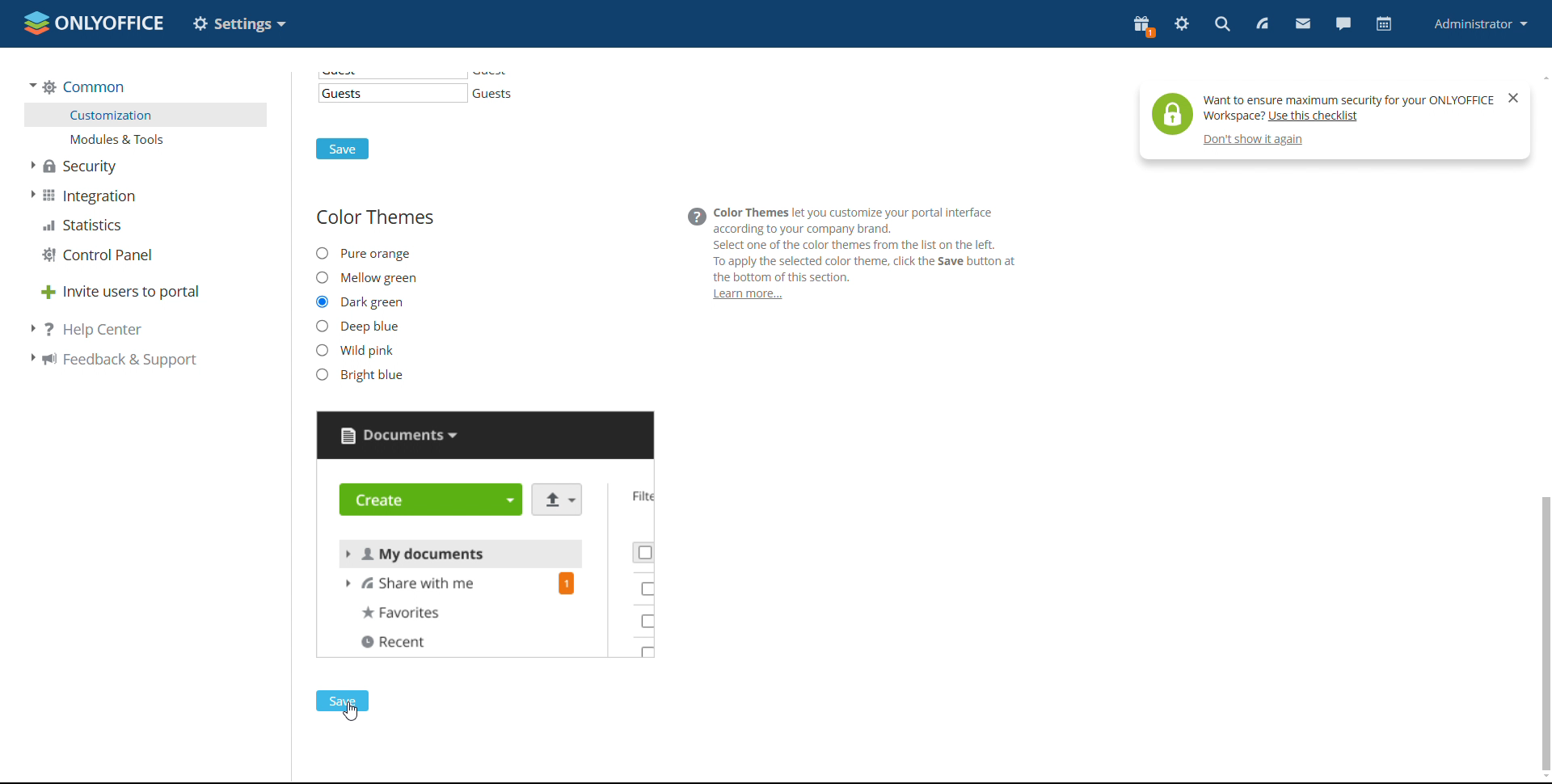 This screenshot has width=1552, height=784. I want to click on sctoll bar, so click(1537, 551).